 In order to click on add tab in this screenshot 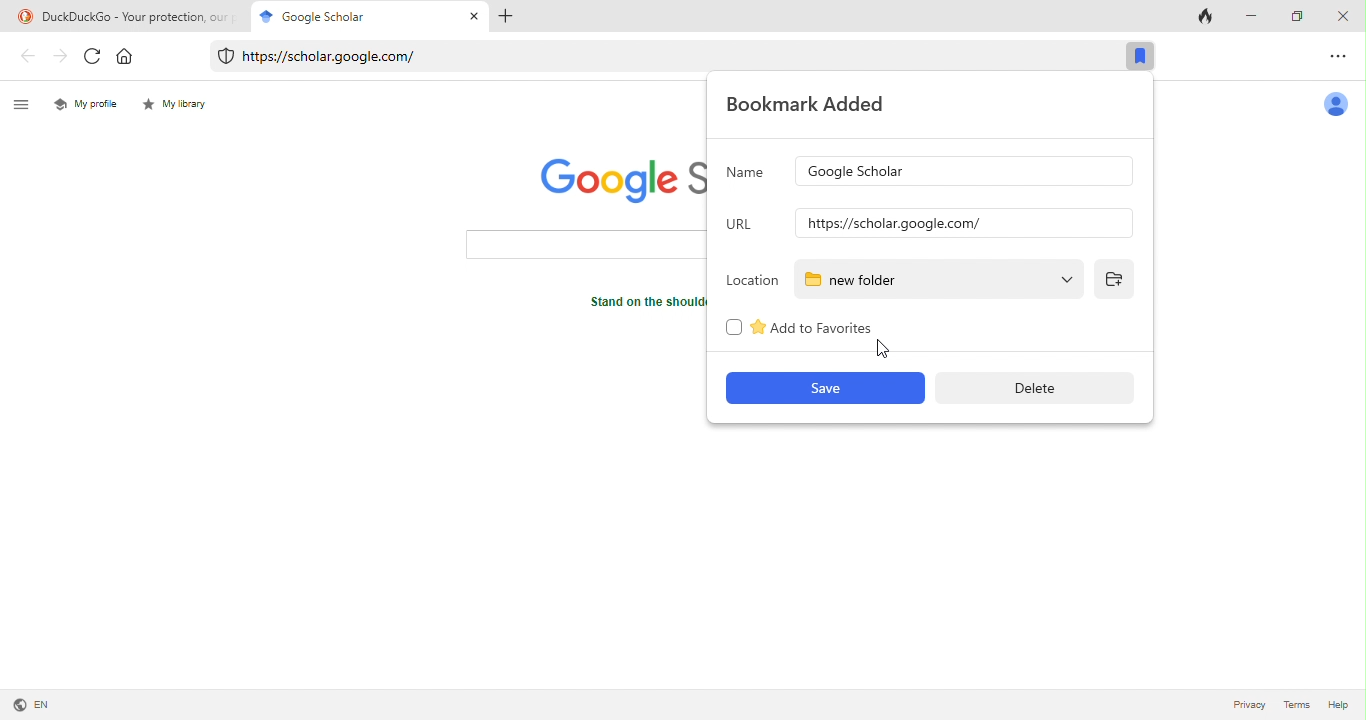, I will do `click(508, 18)`.